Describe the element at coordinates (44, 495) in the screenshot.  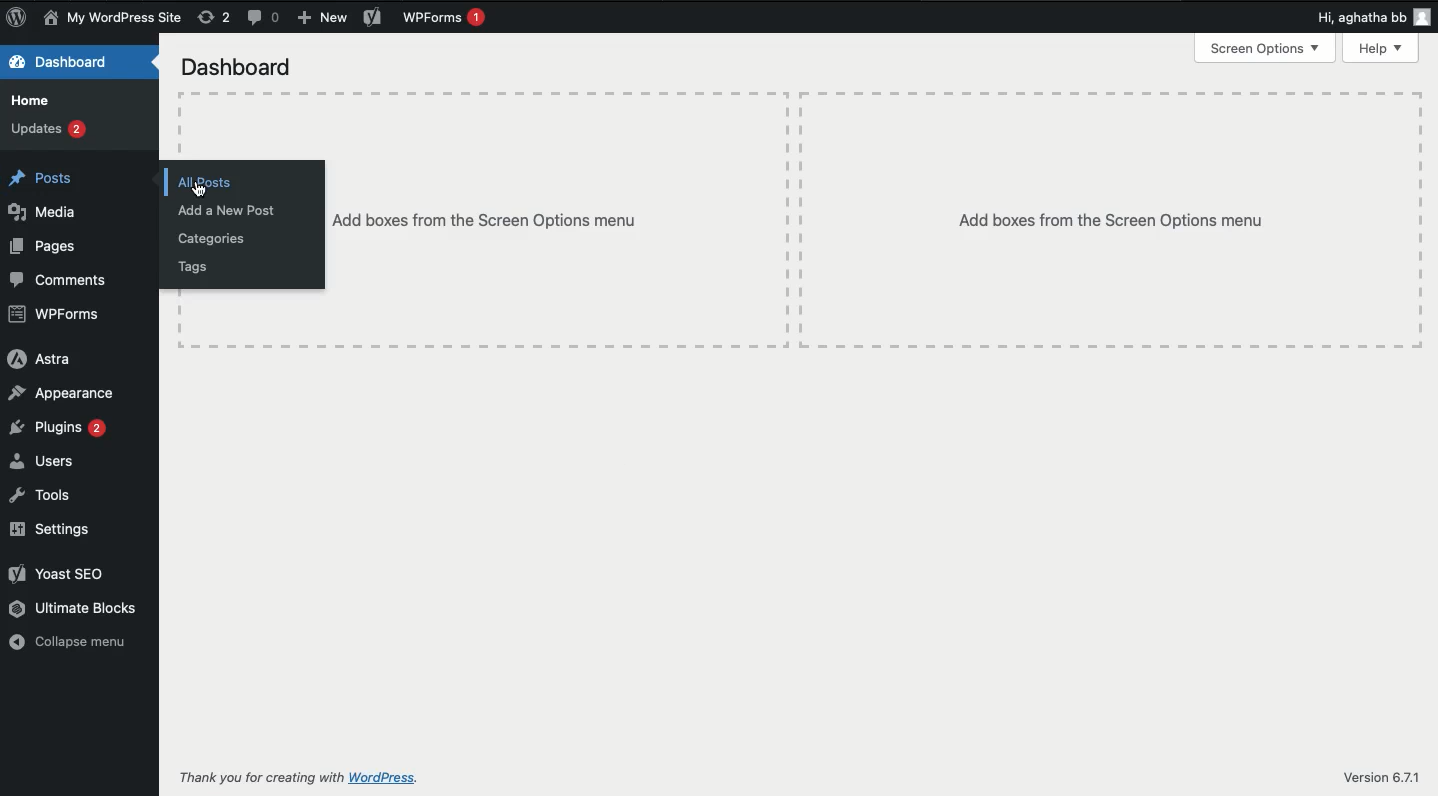
I see `Tools` at that location.